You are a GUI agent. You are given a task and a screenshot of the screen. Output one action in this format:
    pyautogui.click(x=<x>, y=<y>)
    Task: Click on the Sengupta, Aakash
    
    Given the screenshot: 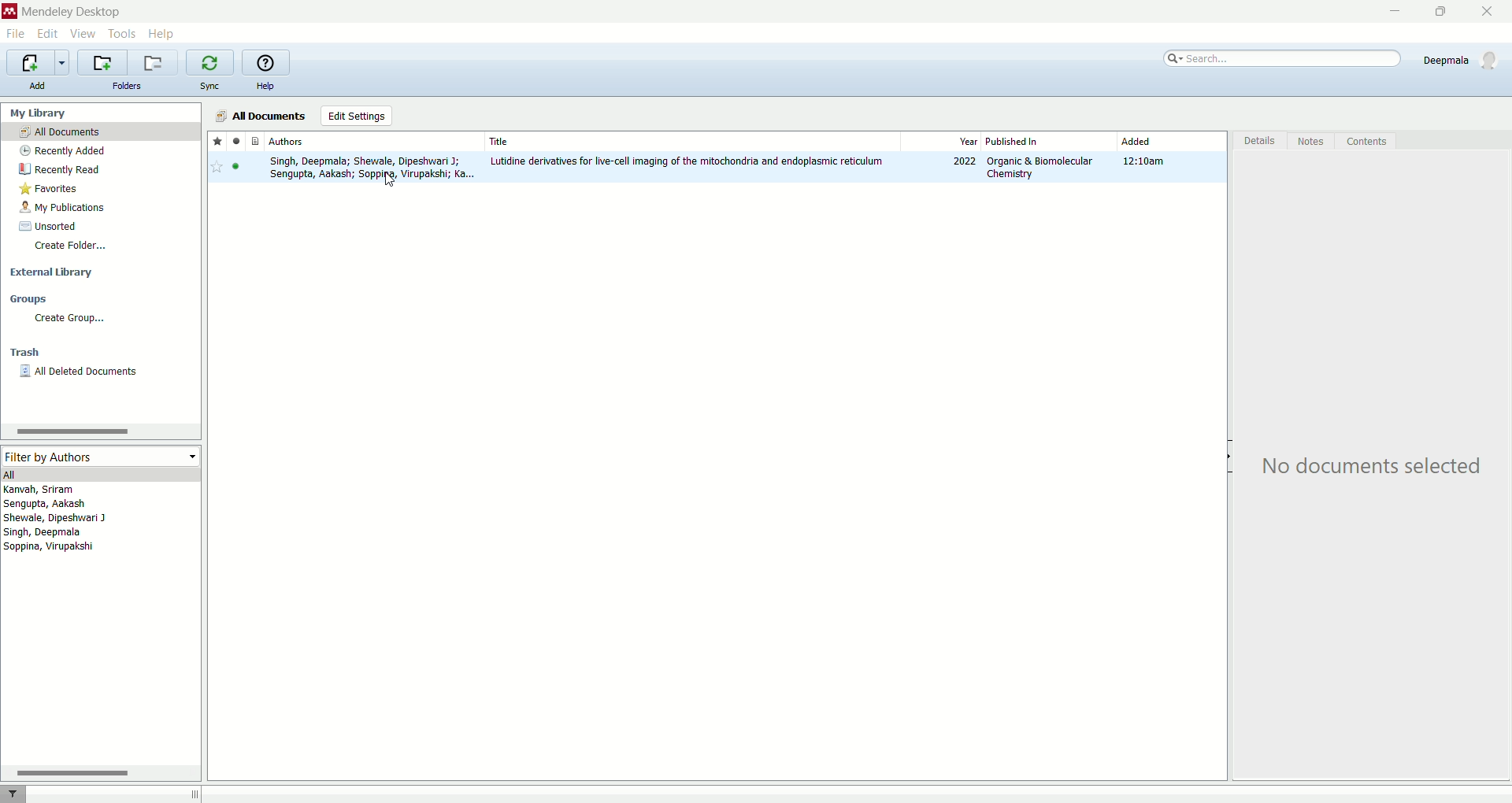 What is the action you would take?
    pyautogui.click(x=81, y=504)
    